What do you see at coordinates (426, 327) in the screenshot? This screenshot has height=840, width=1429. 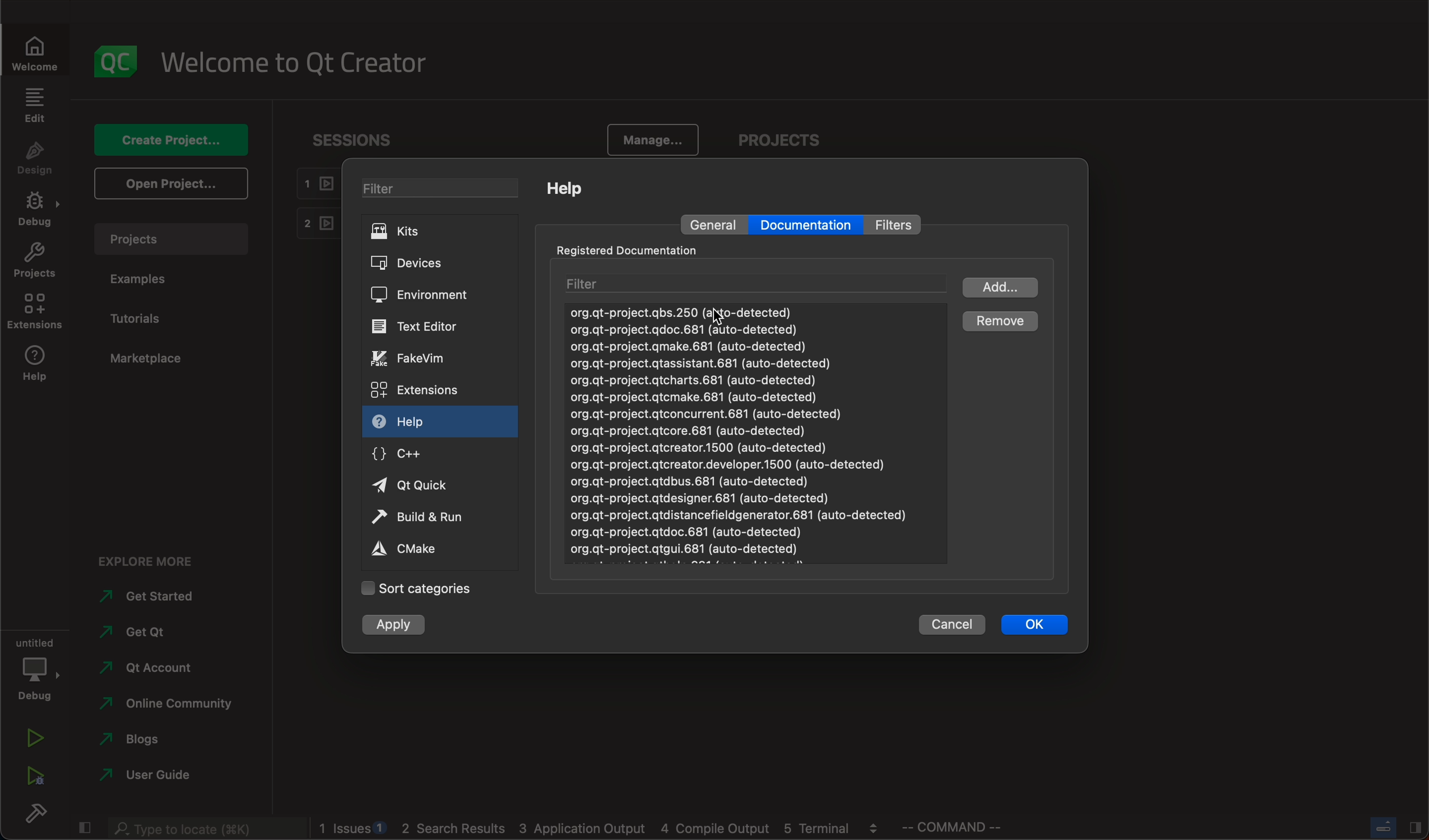 I see `text` at bounding box center [426, 327].